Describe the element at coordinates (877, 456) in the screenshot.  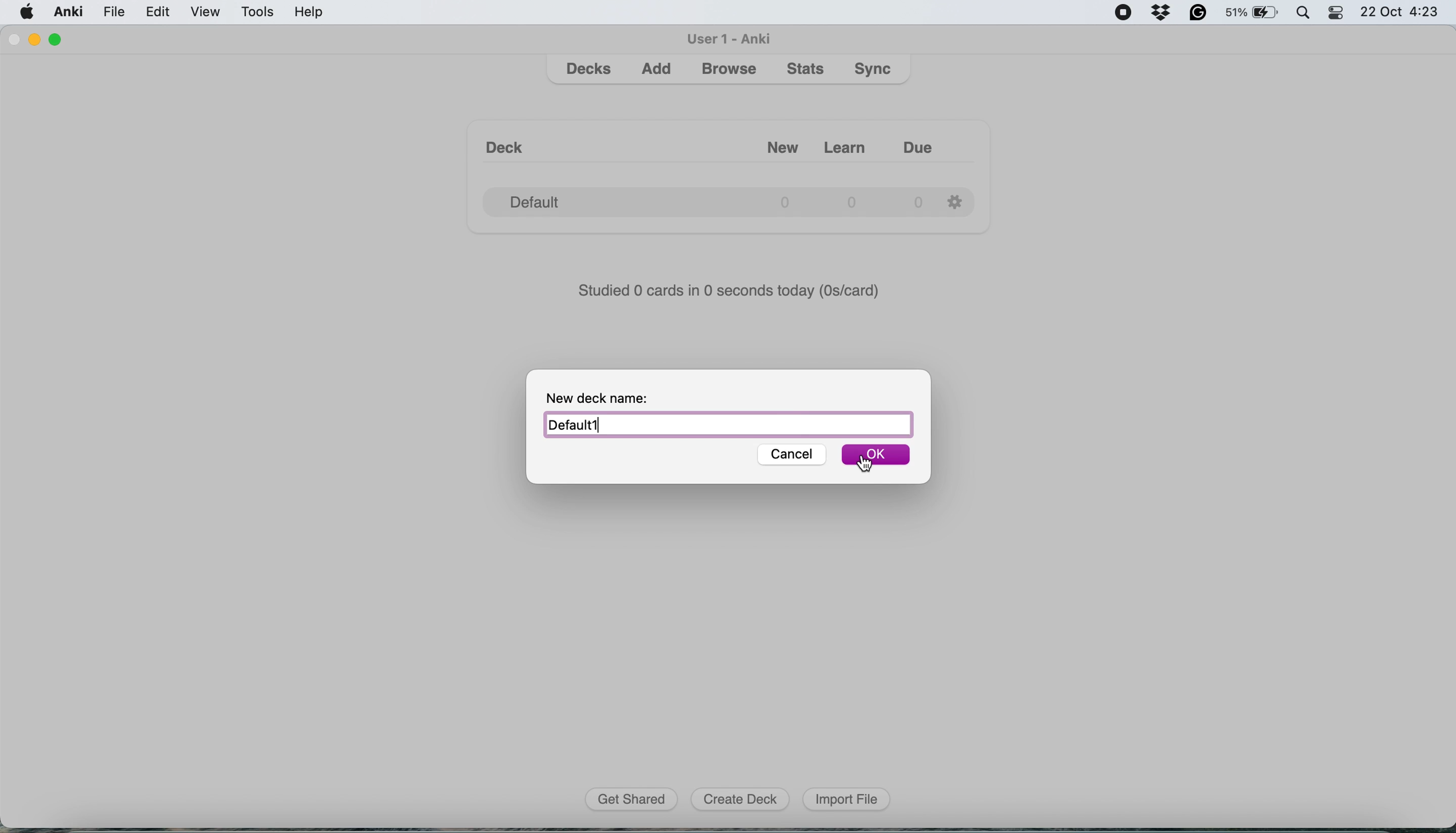
I see `OK` at that location.